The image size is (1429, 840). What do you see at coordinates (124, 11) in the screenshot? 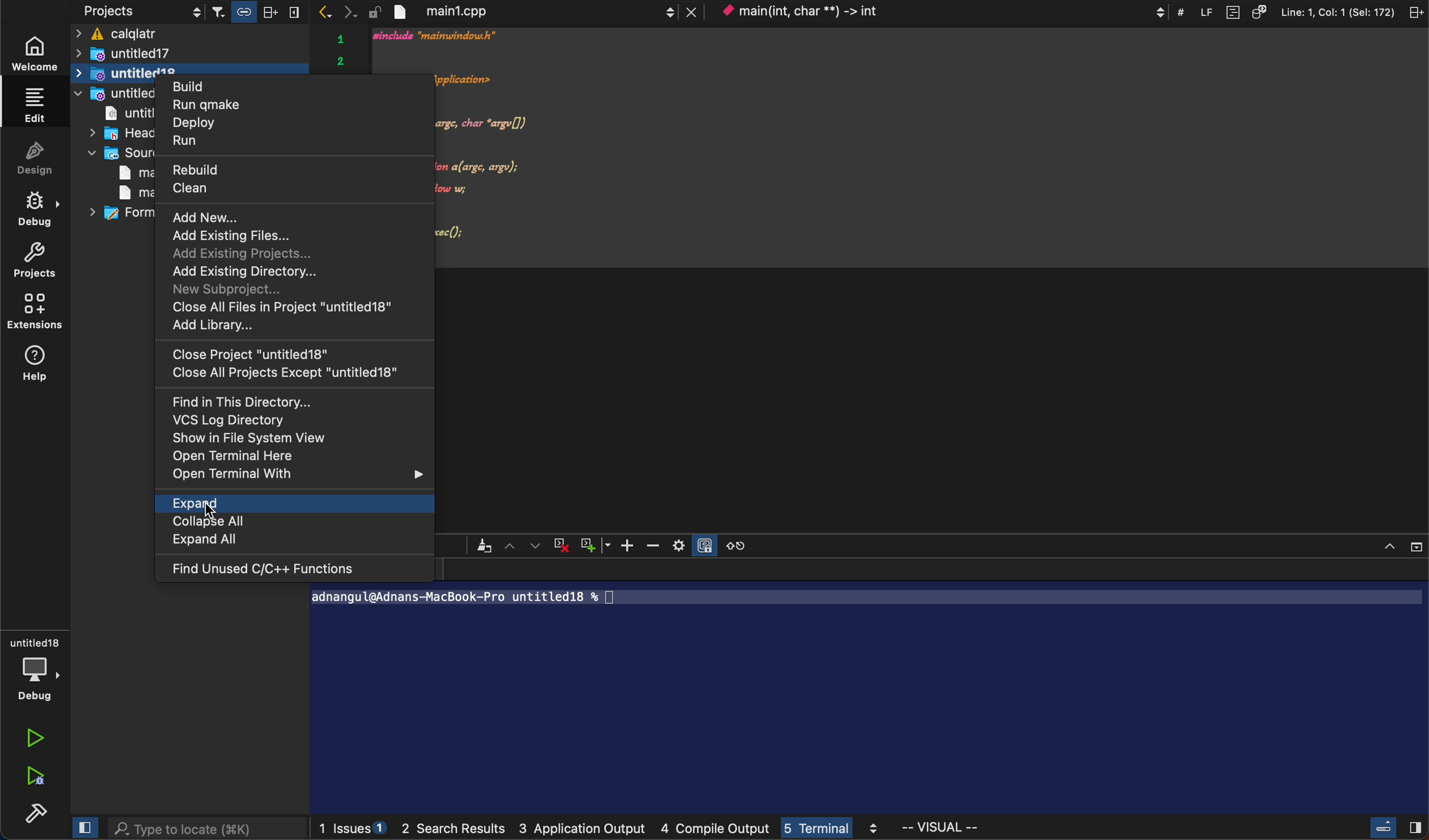
I see `projects` at bounding box center [124, 11].